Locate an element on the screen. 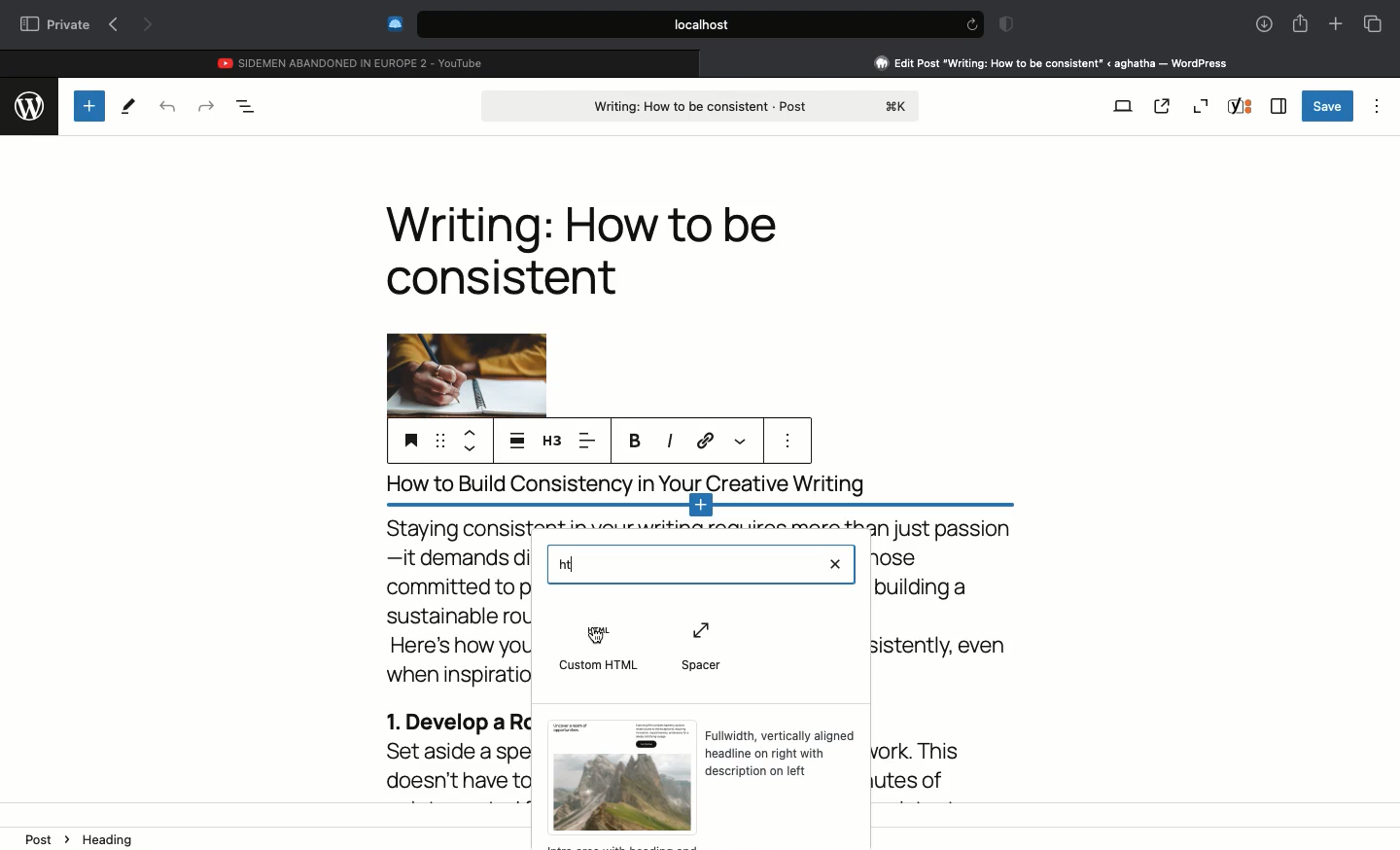 The height and width of the screenshot is (850, 1400). Body is located at coordinates (446, 658).